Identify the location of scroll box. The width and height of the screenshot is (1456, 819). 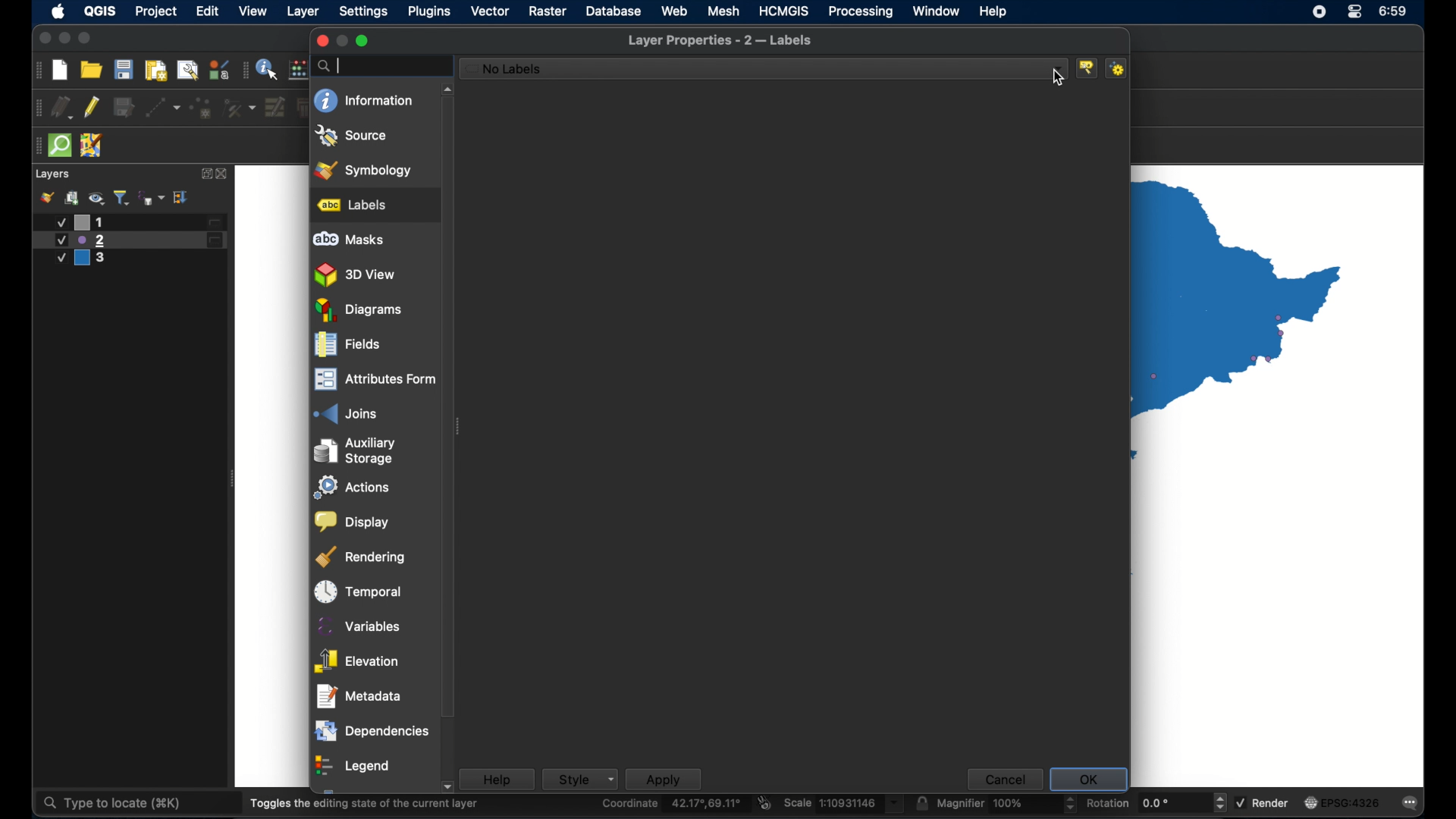
(450, 412).